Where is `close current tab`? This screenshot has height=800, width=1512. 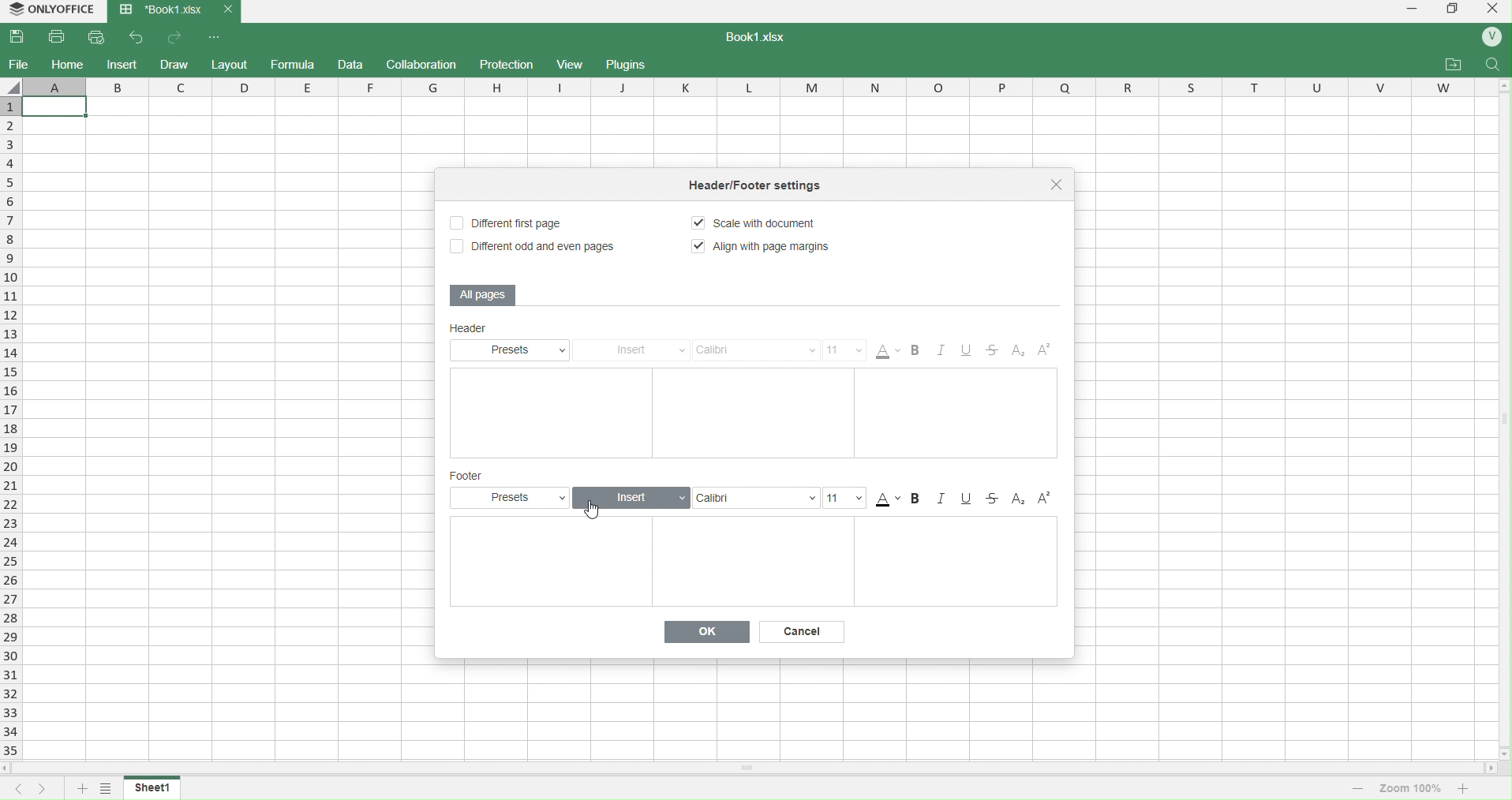
close current tab is located at coordinates (226, 9).